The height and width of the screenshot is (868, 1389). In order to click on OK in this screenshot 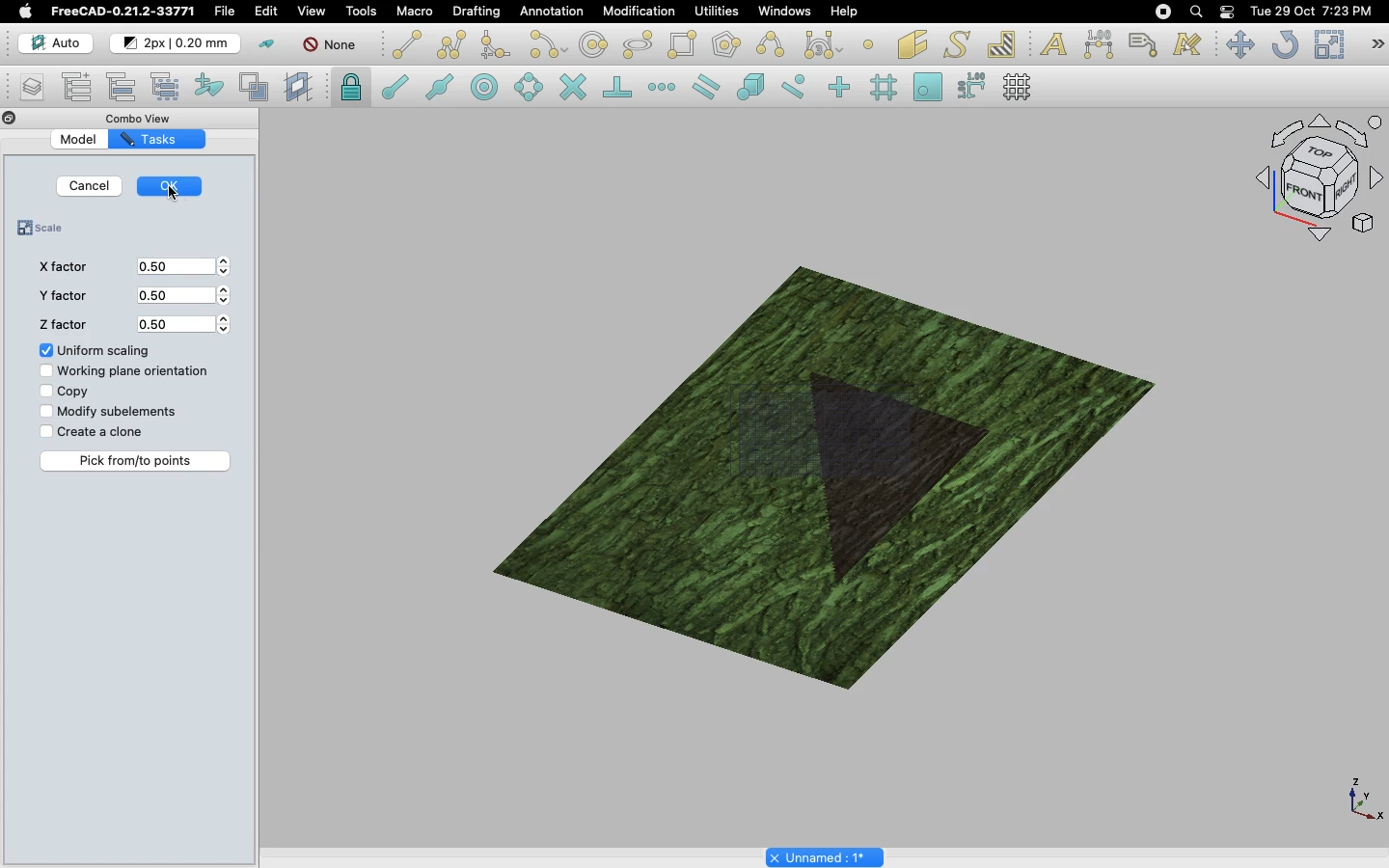, I will do `click(173, 183)`.